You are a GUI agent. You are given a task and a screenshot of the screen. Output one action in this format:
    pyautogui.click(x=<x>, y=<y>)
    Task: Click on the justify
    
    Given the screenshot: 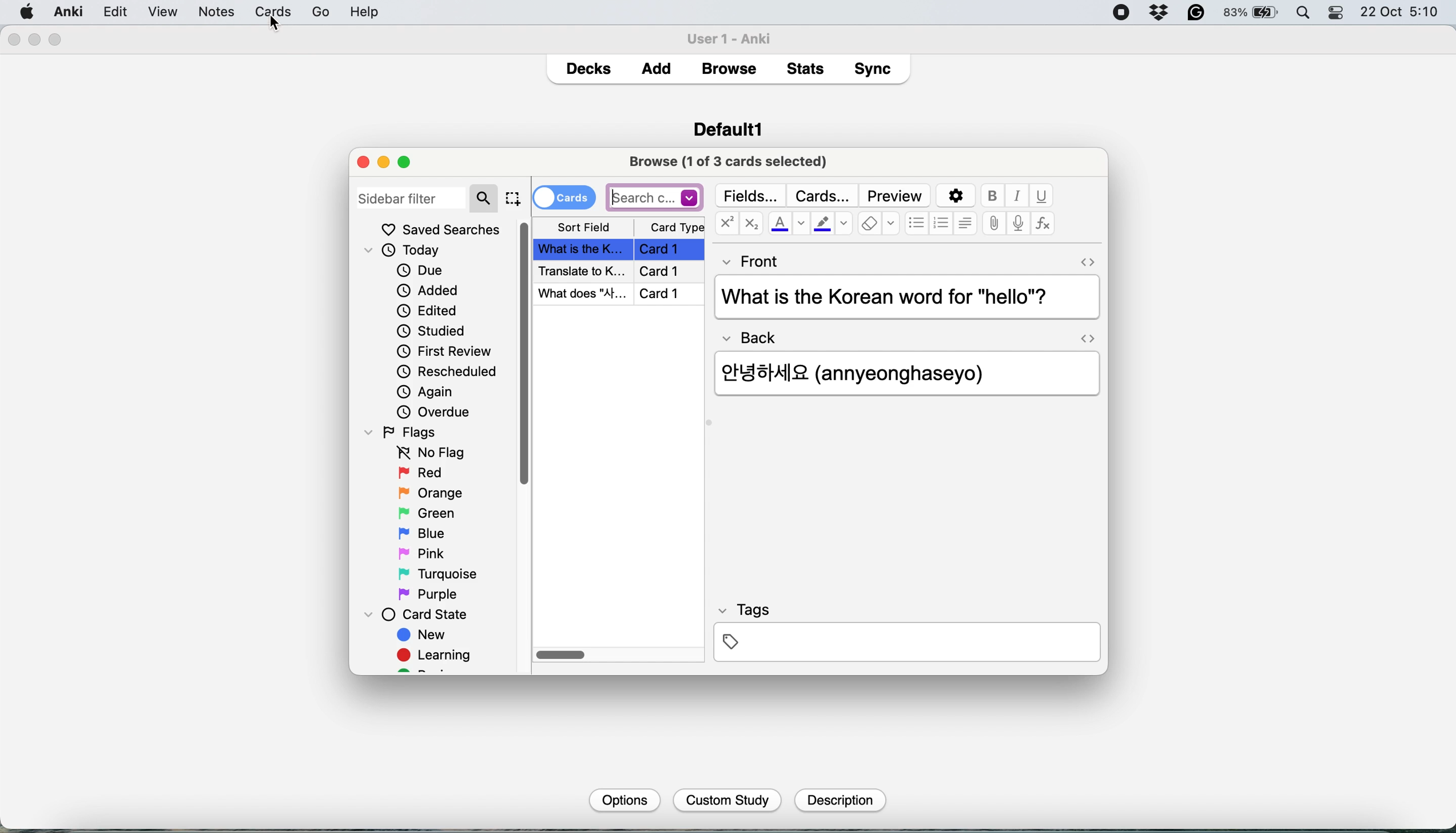 What is the action you would take?
    pyautogui.click(x=965, y=223)
    